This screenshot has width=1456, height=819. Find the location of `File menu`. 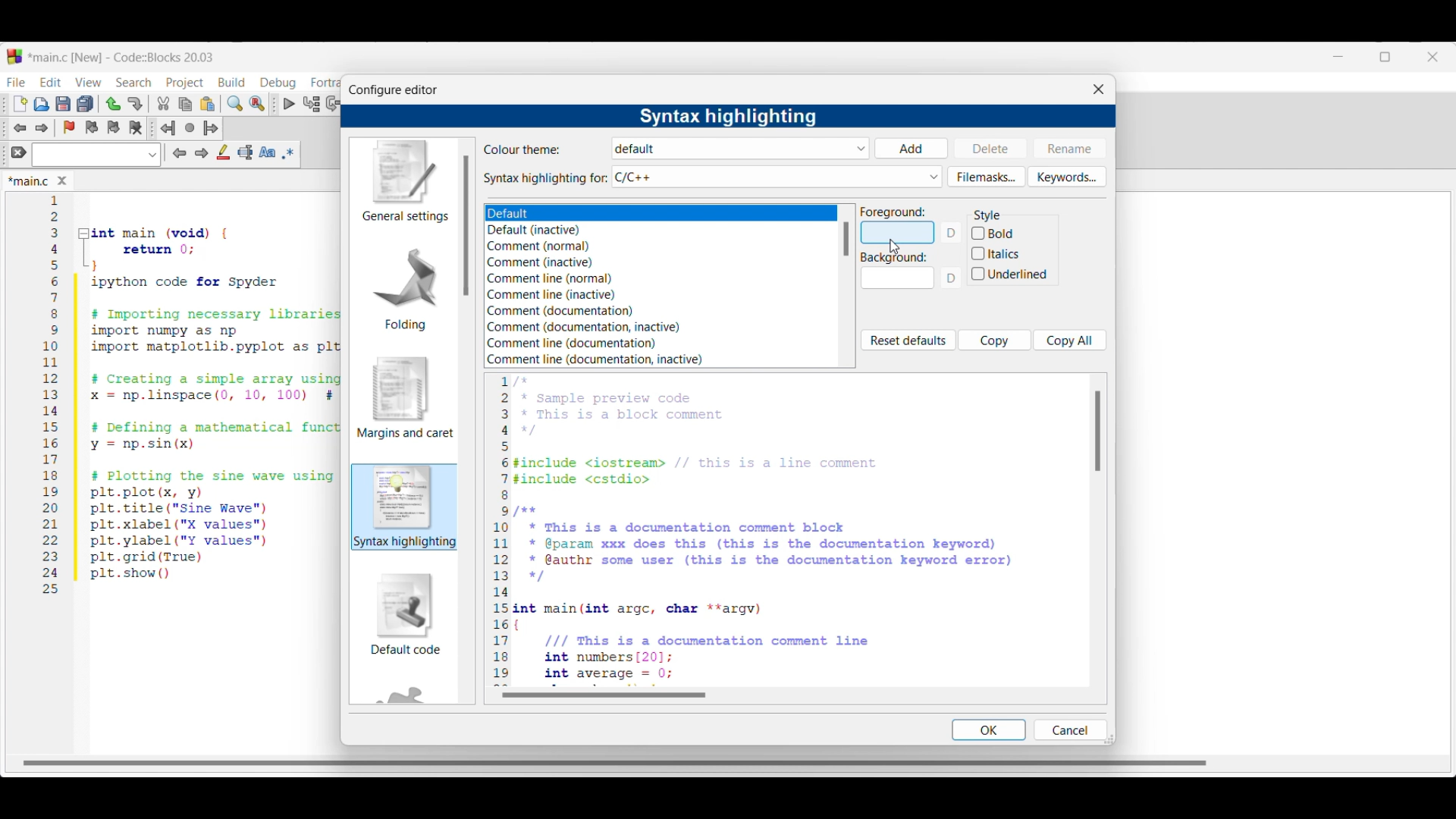

File menu is located at coordinates (16, 82).